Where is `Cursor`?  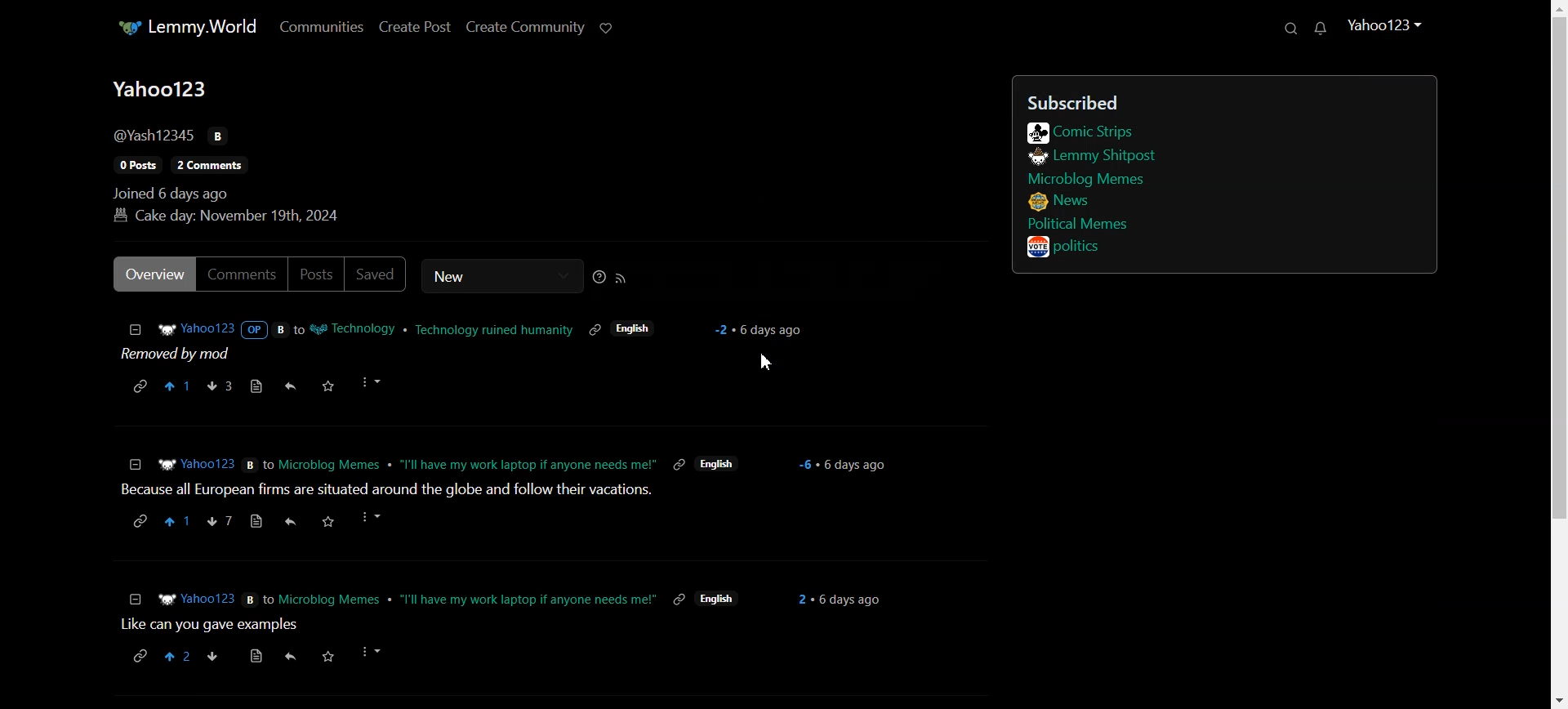
Cursor is located at coordinates (767, 363).